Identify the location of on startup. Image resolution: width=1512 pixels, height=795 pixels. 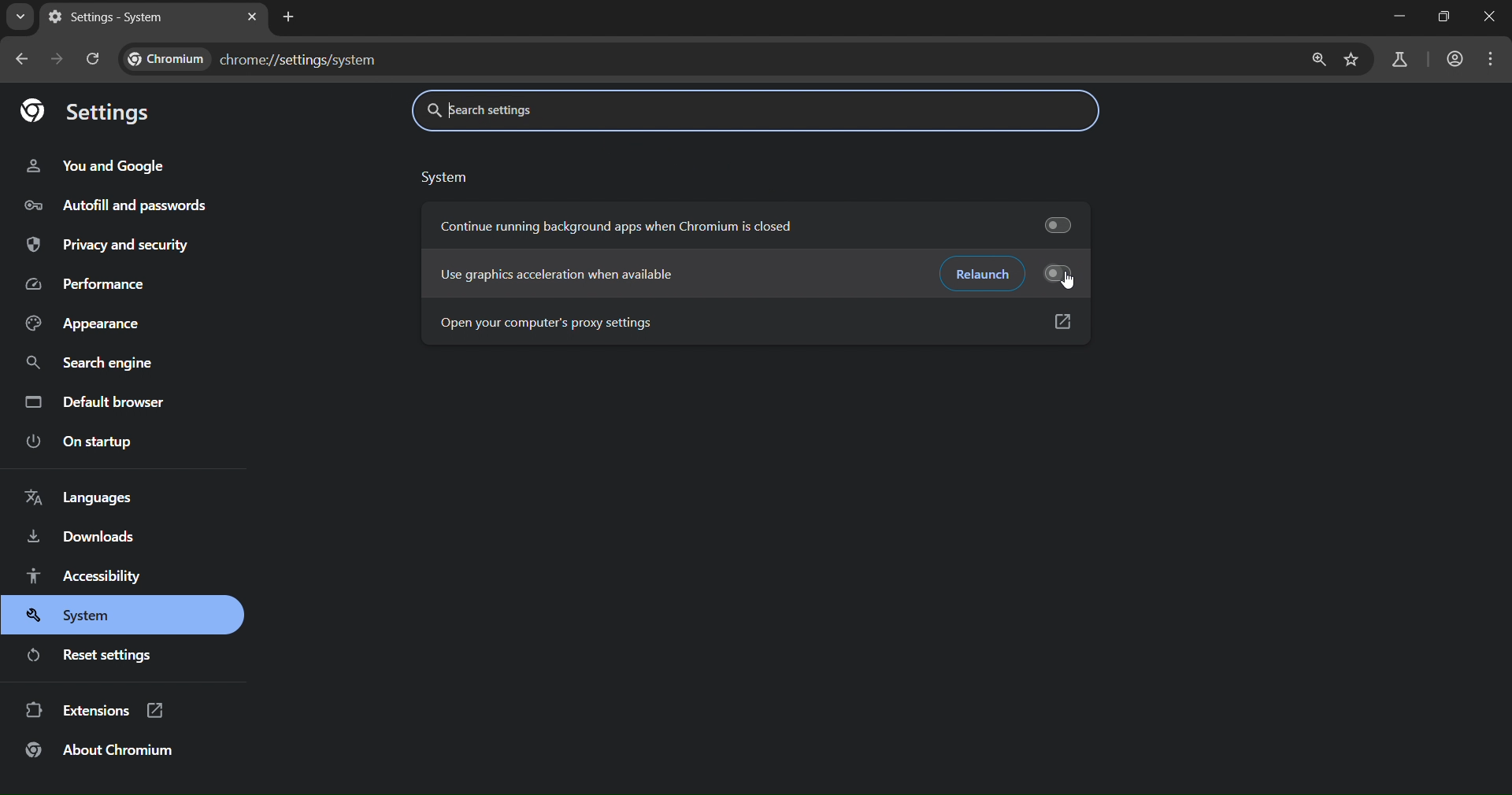
(80, 442).